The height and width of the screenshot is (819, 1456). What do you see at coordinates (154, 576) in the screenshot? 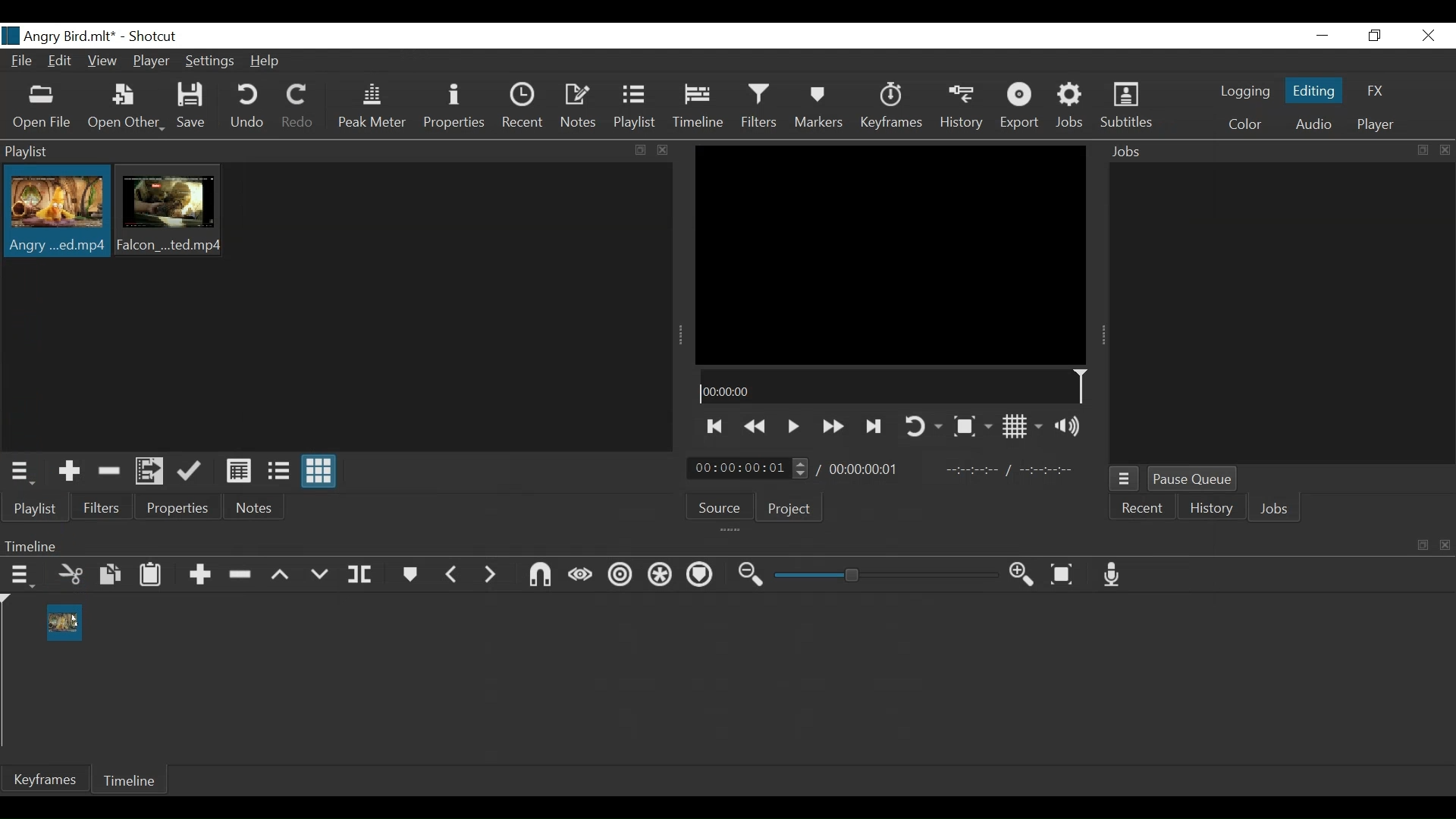
I see `Paste` at bounding box center [154, 576].